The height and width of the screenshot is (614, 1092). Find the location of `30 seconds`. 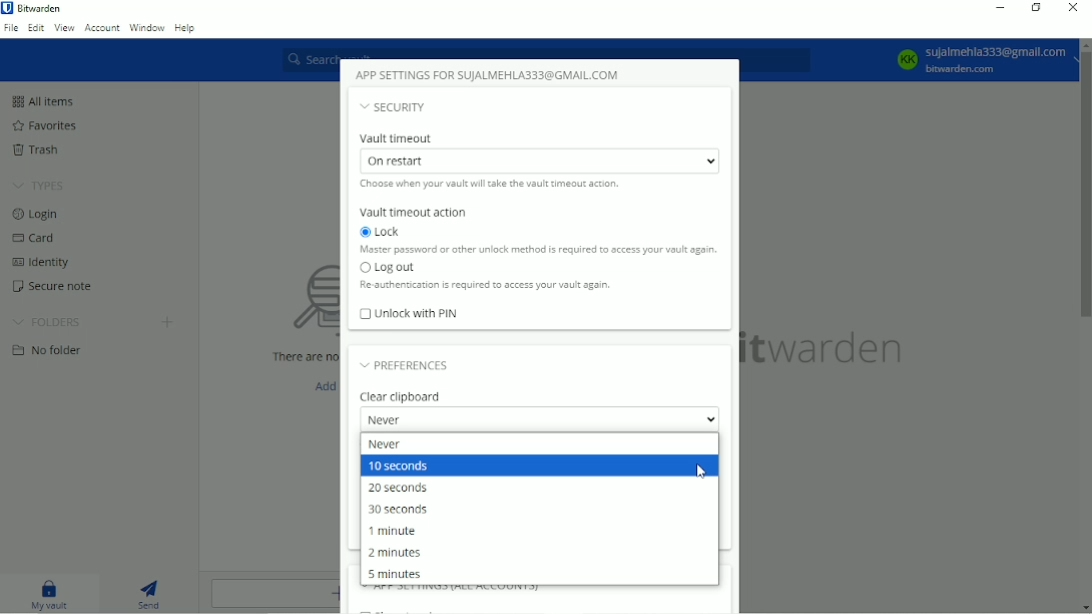

30 seconds is located at coordinates (403, 510).